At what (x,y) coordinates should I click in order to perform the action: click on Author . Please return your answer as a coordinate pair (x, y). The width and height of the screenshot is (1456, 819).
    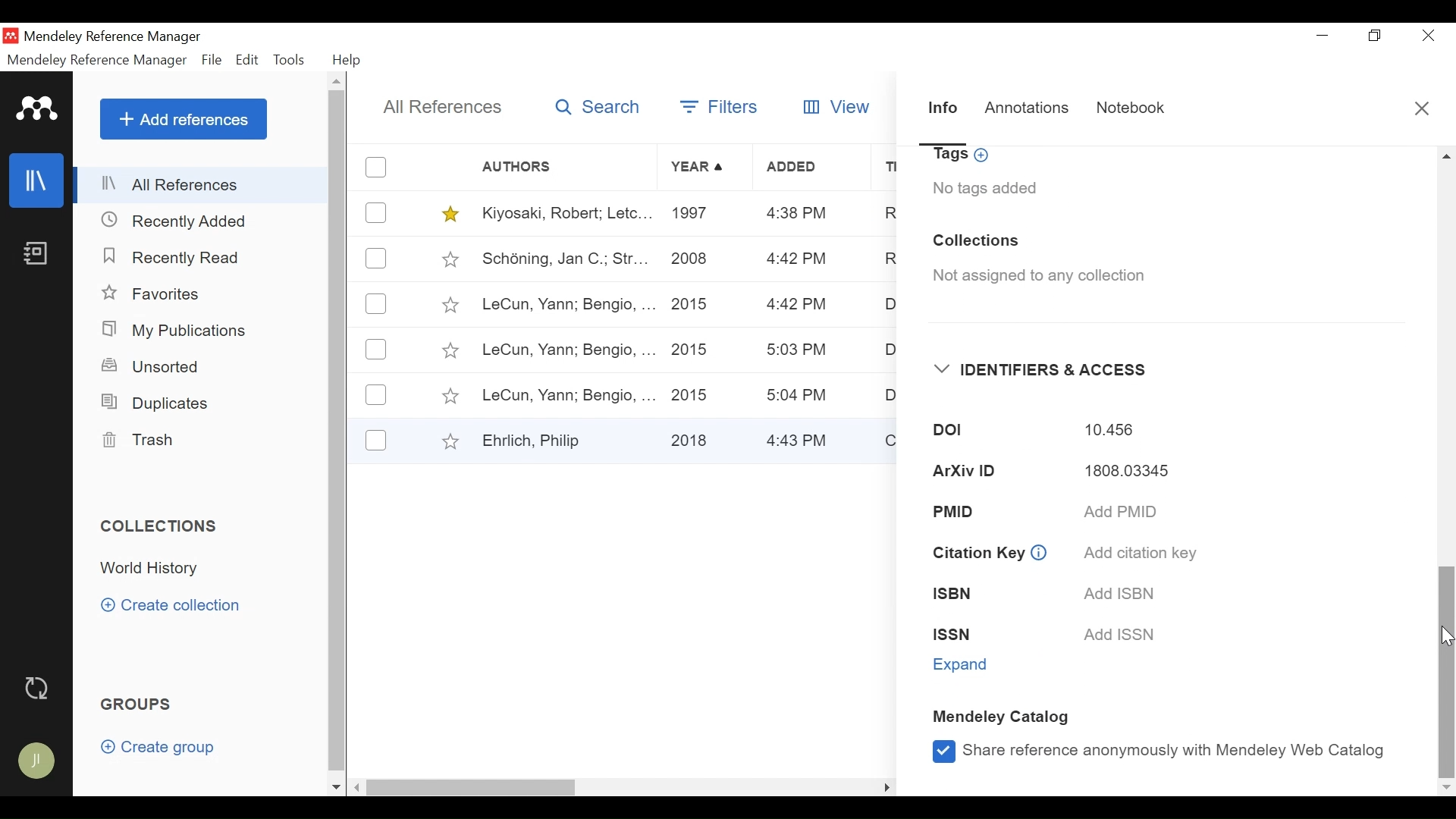
    Looking at the image, I should click on (567, 167).